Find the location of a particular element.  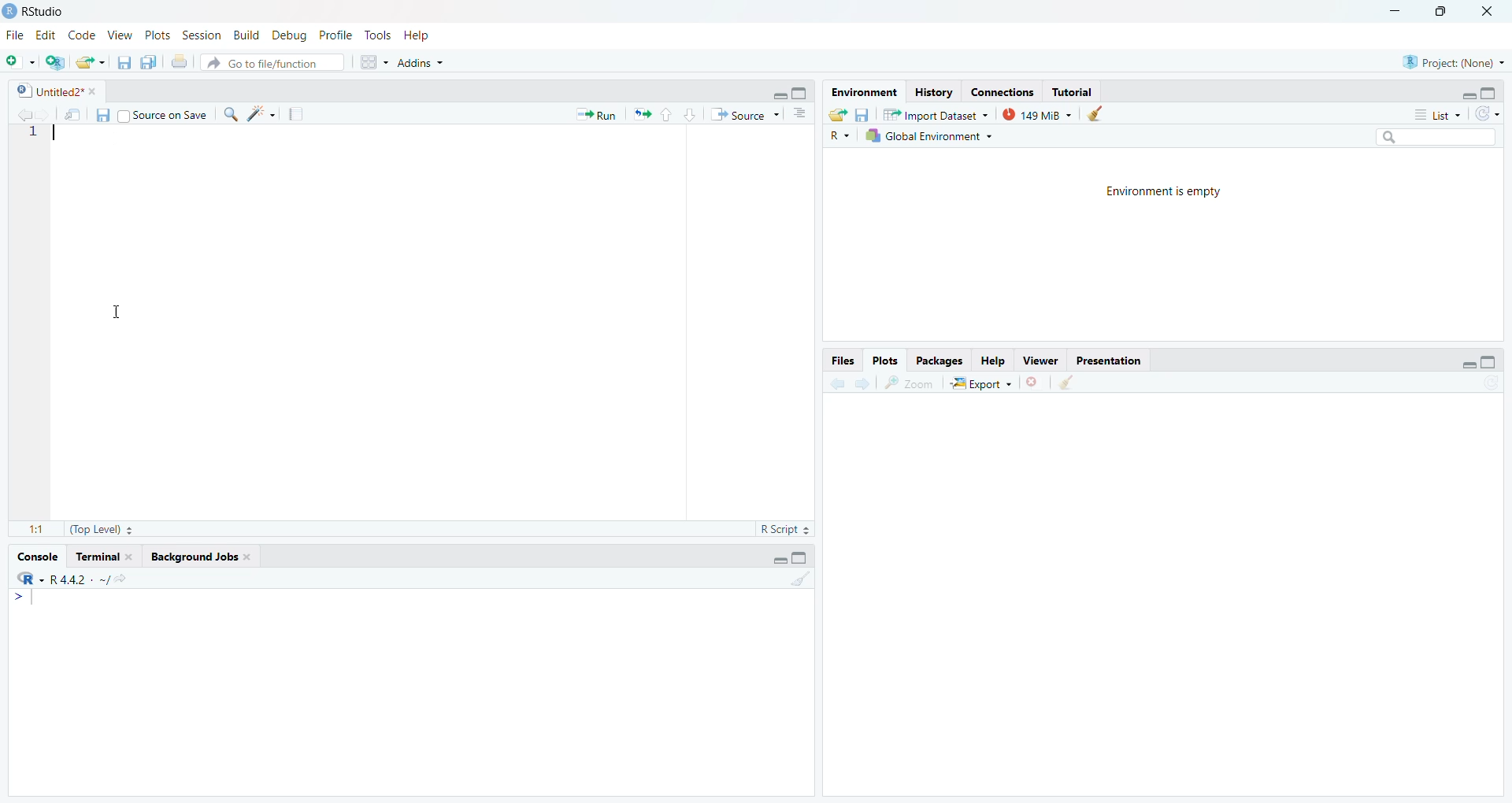

Environment is located at coordinates (864, 92).